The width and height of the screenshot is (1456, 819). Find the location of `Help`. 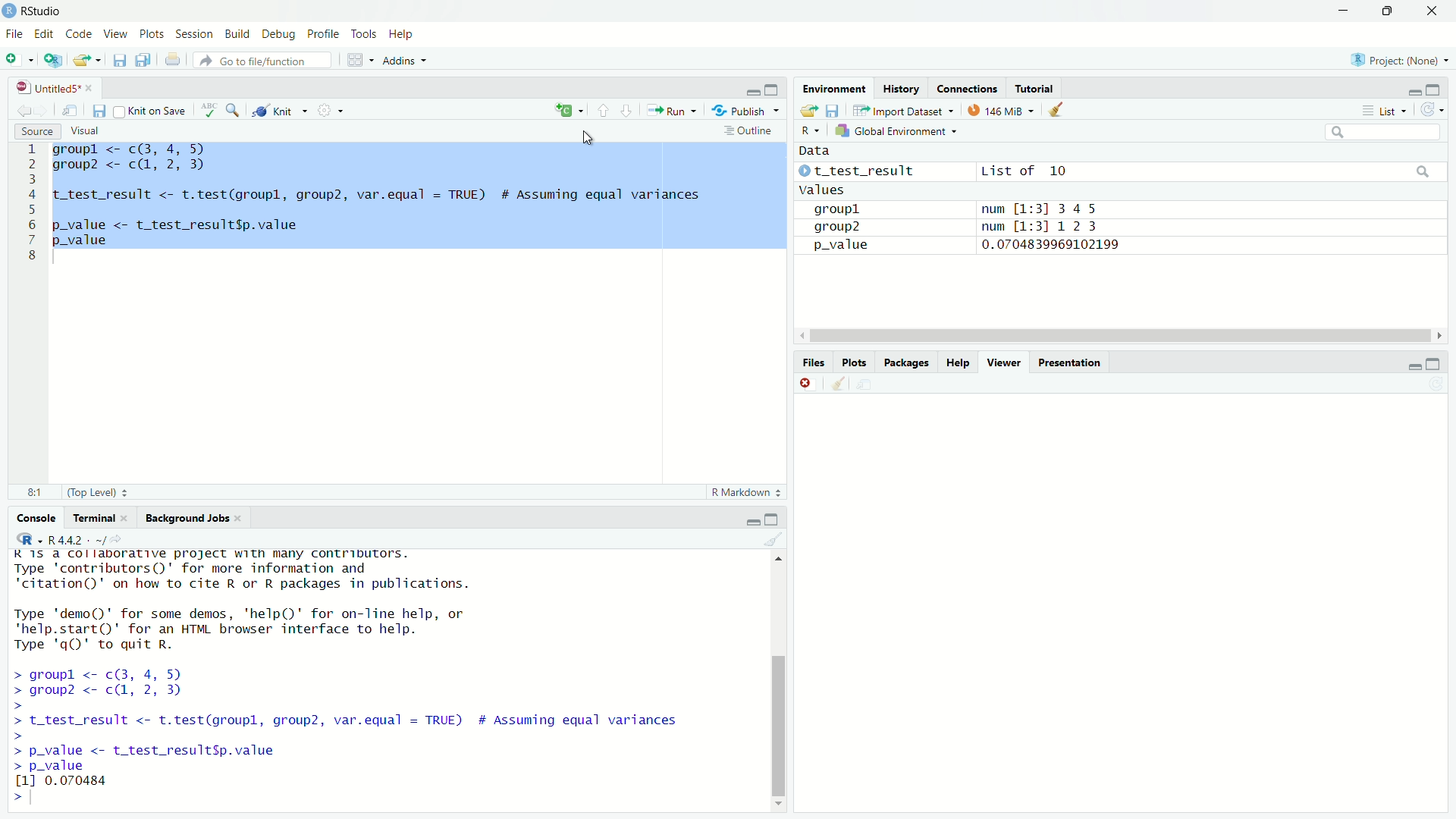

Help is located at coordinates (403, 33).